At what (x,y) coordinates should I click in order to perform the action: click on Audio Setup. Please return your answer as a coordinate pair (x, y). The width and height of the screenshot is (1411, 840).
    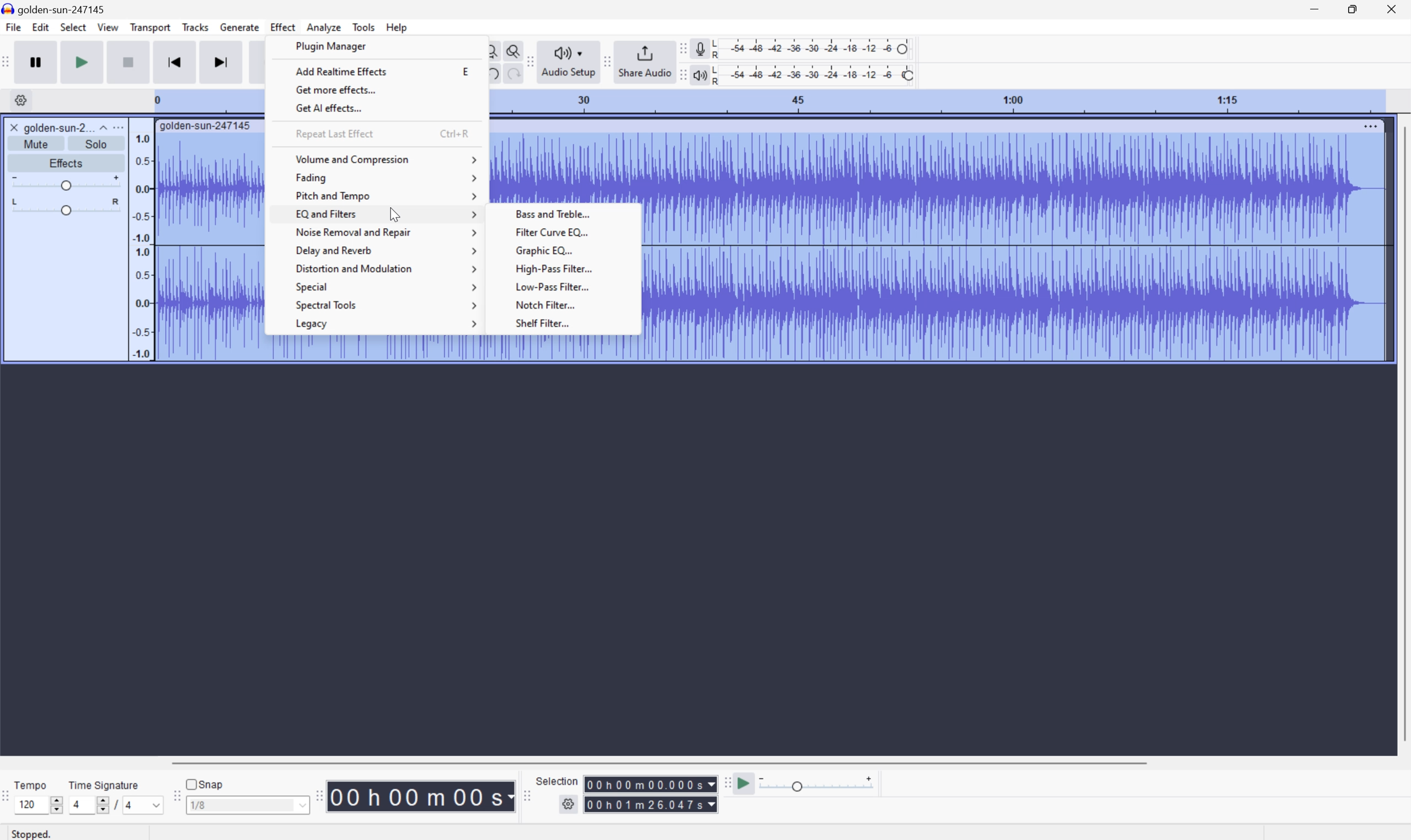
    Looking at the image, I should click on (568, 62).